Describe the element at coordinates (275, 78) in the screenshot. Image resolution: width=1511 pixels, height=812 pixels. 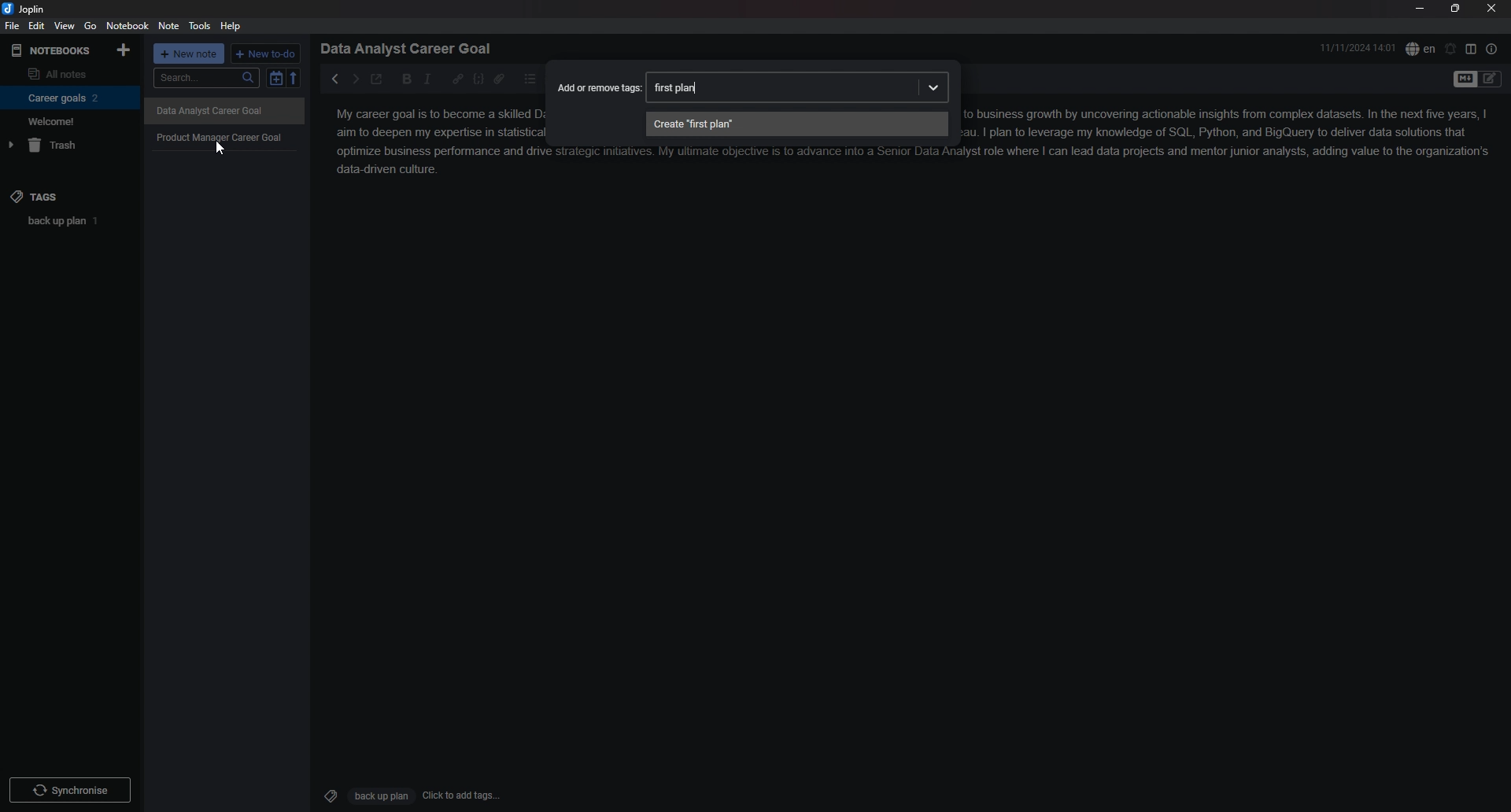
I see `toggle sort order` at that location.